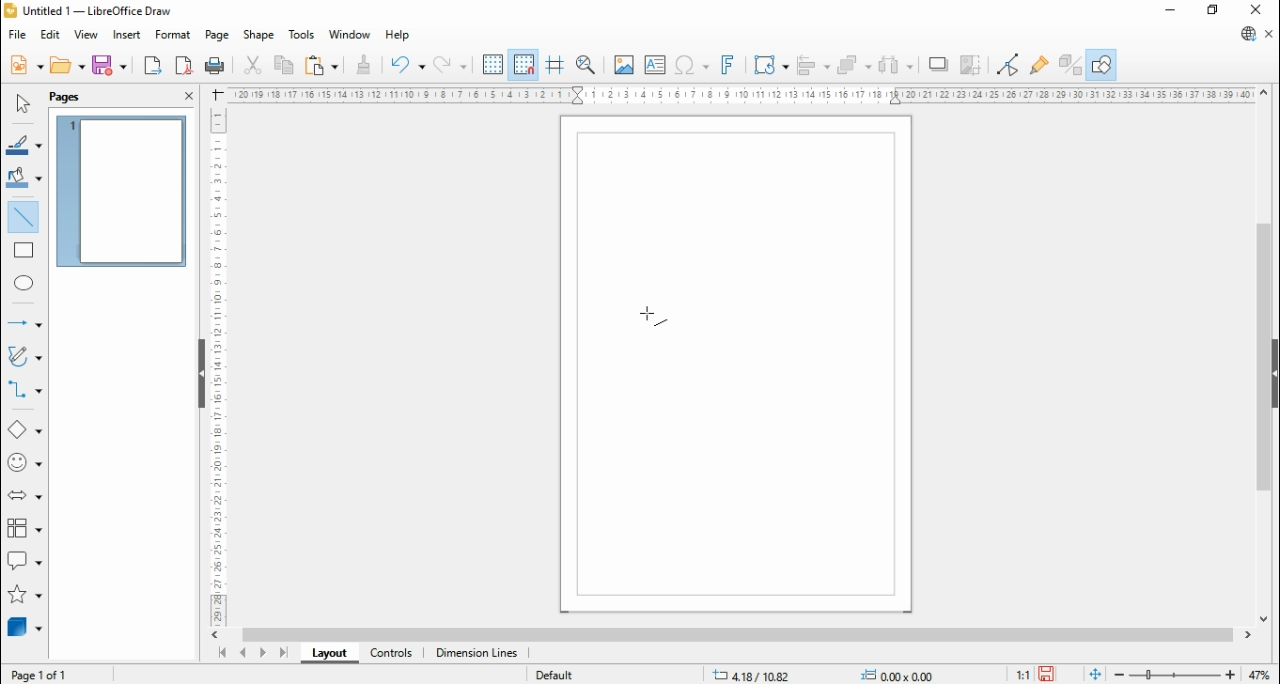 The width and height of the screenshot is (1280, 684). I want to click on Scale, so click(738, 94).